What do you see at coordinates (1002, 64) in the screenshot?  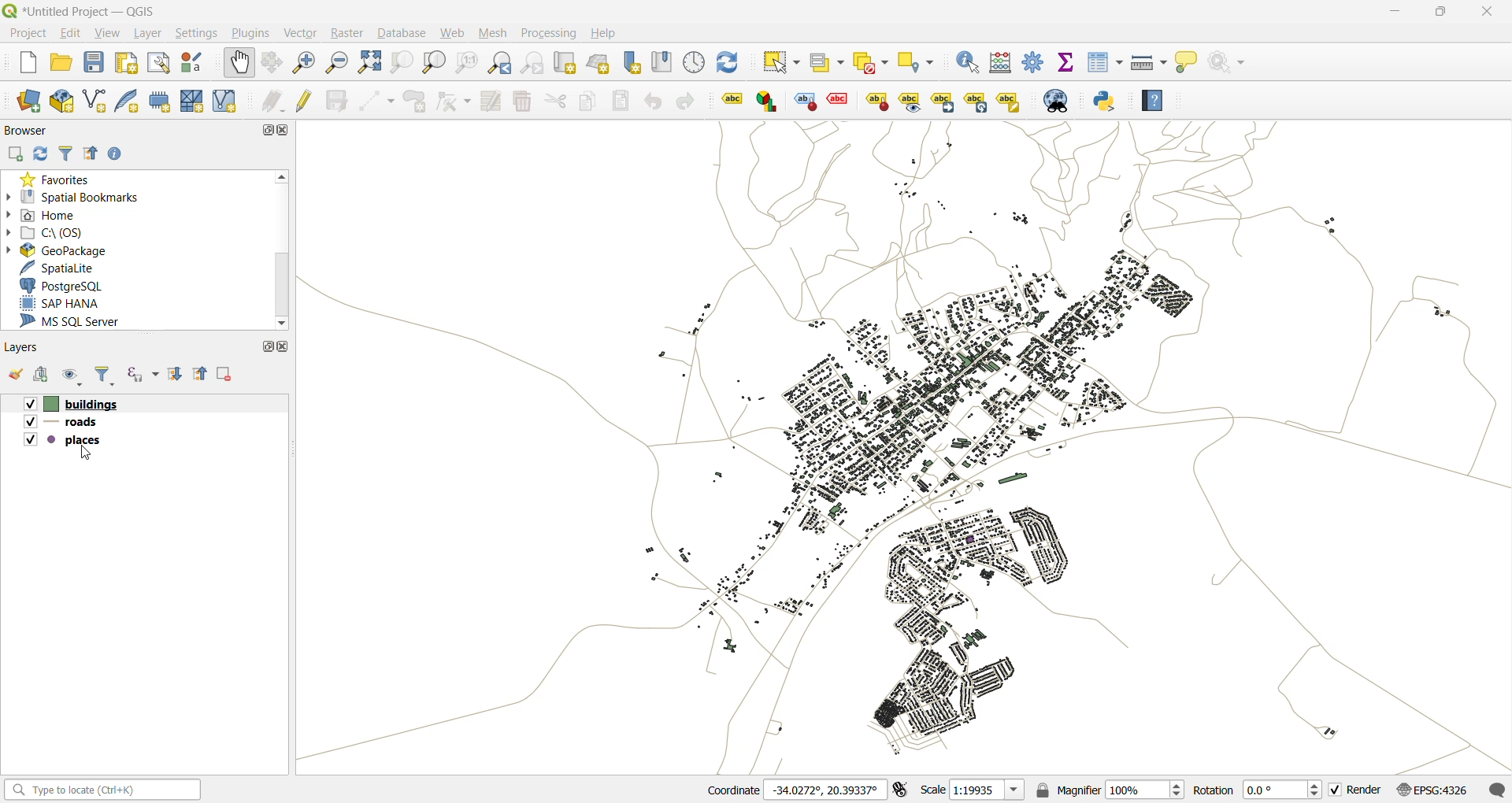 I see `calculator` at bounding box center [1002, 64].